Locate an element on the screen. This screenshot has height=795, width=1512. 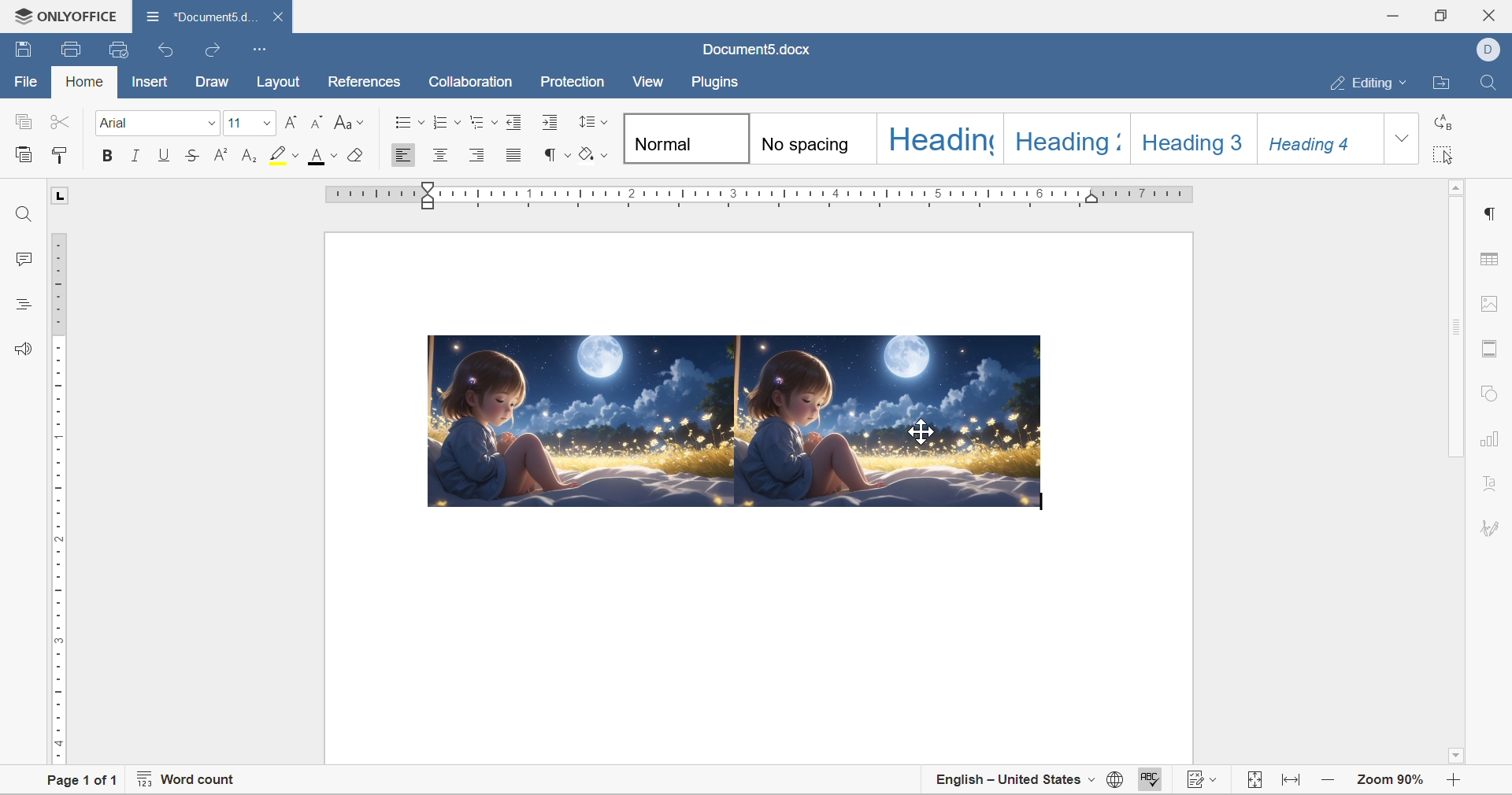
L is located at coordinates (59, 194).